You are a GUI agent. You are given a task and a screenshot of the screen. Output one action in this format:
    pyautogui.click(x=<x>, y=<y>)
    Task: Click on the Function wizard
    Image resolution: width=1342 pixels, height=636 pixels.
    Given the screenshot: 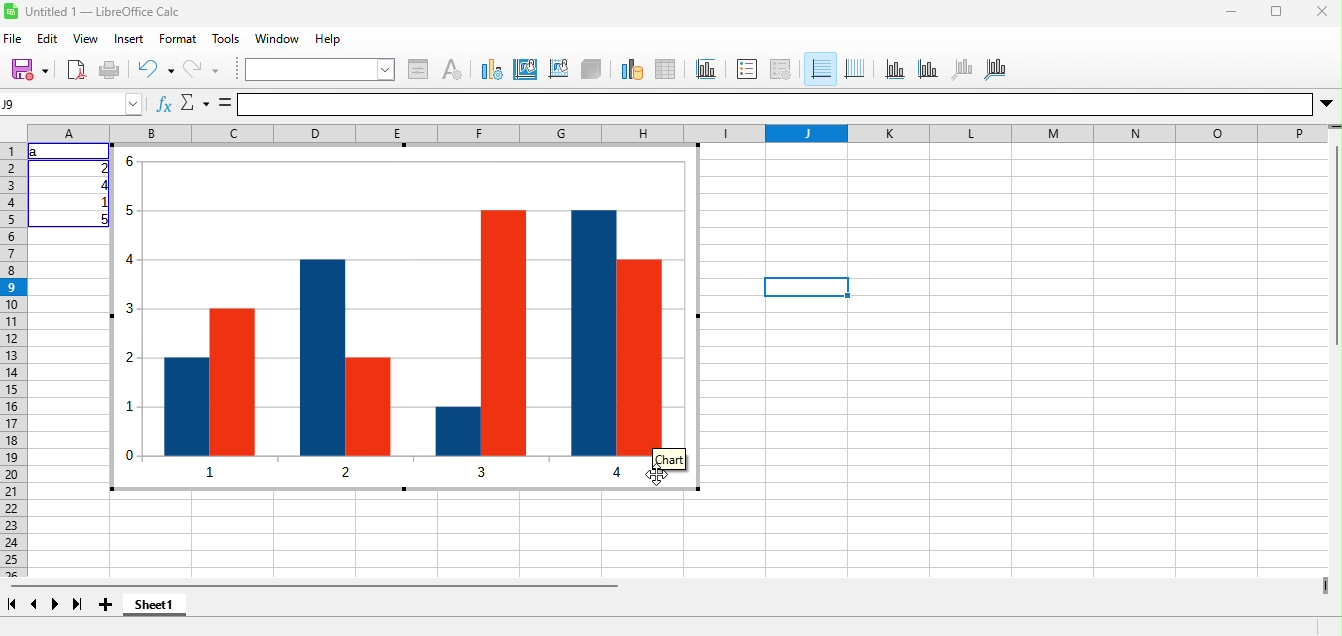 What is the action you would take?
    pyautogui.click(x=164, y=103)
    